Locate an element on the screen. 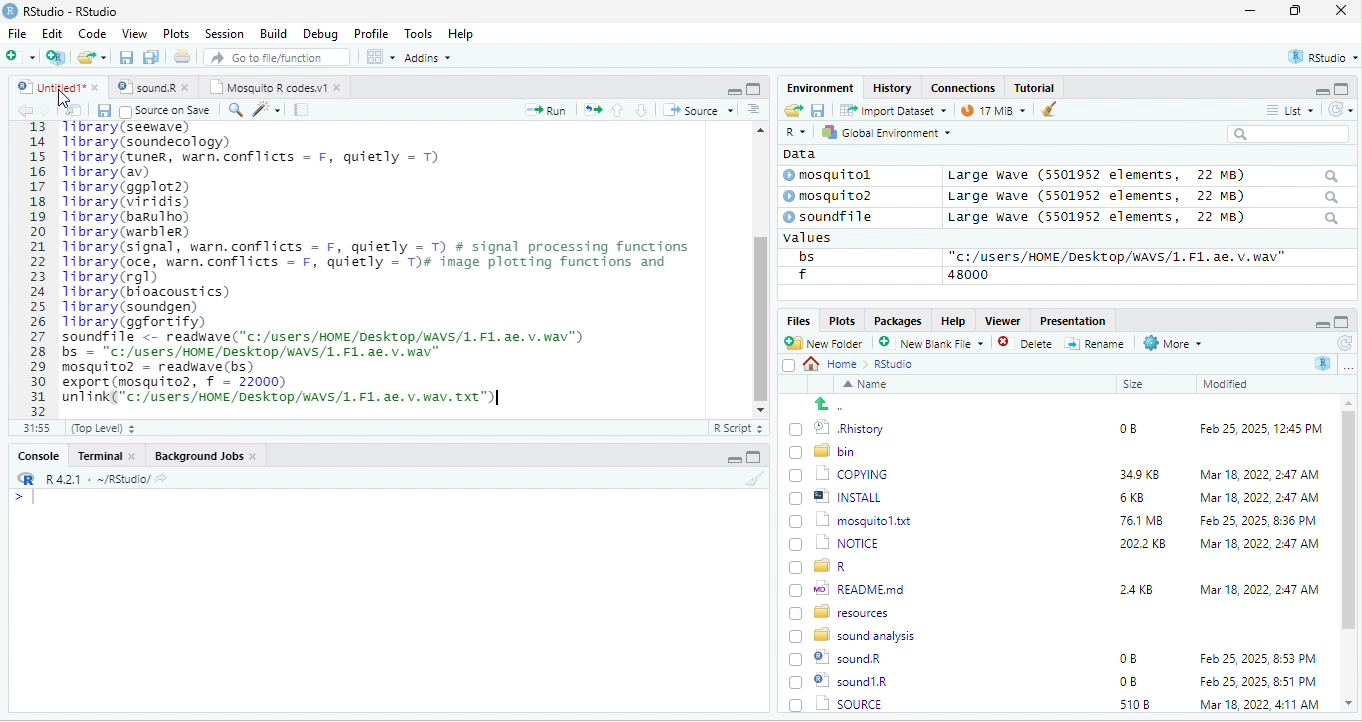  fipt 2 (0) ©] Rhistory 0B Feb 25, 2025, 12:45 PM
oO bin
0) 1) copying 349K8 Mar 18,2022, 247 AM
(J ®] INSTALL 6KB Mar 18, 2022, 247 AM
(0 1) mosauitoxt T6IMB Feb 25,2025 8:36 PM
0 [3 norce 2002K8 Mar 18, 2022, 247 AM
0 @r
(7) %) READMEmd 248 Mar 18, 2022, 247 AM
(0) resources
[5 sound analysis
(0) ©) soundiR LO Feb 25, 2025, 851 PM
0 1 source s108 Mar 18, 2022, 41 AM
(71 Uninstallexe 1302KB  Apr26,2022 1.00PM ¥ is located at coordinates (394, 262).